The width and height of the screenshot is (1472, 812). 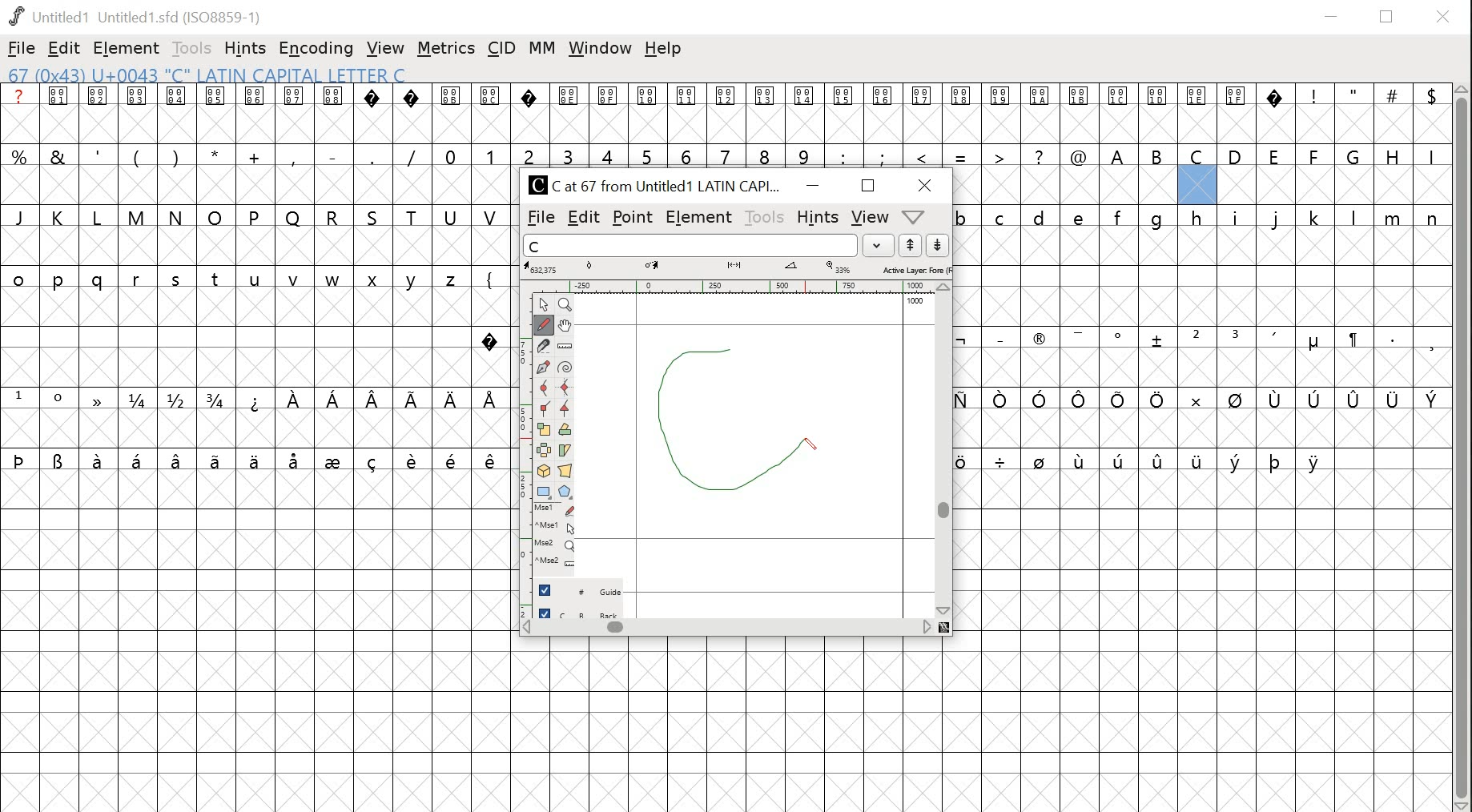 What do you see at coordinates (546, 429) in the screenshot?
I see `scale` at bounding box center [546, 429].